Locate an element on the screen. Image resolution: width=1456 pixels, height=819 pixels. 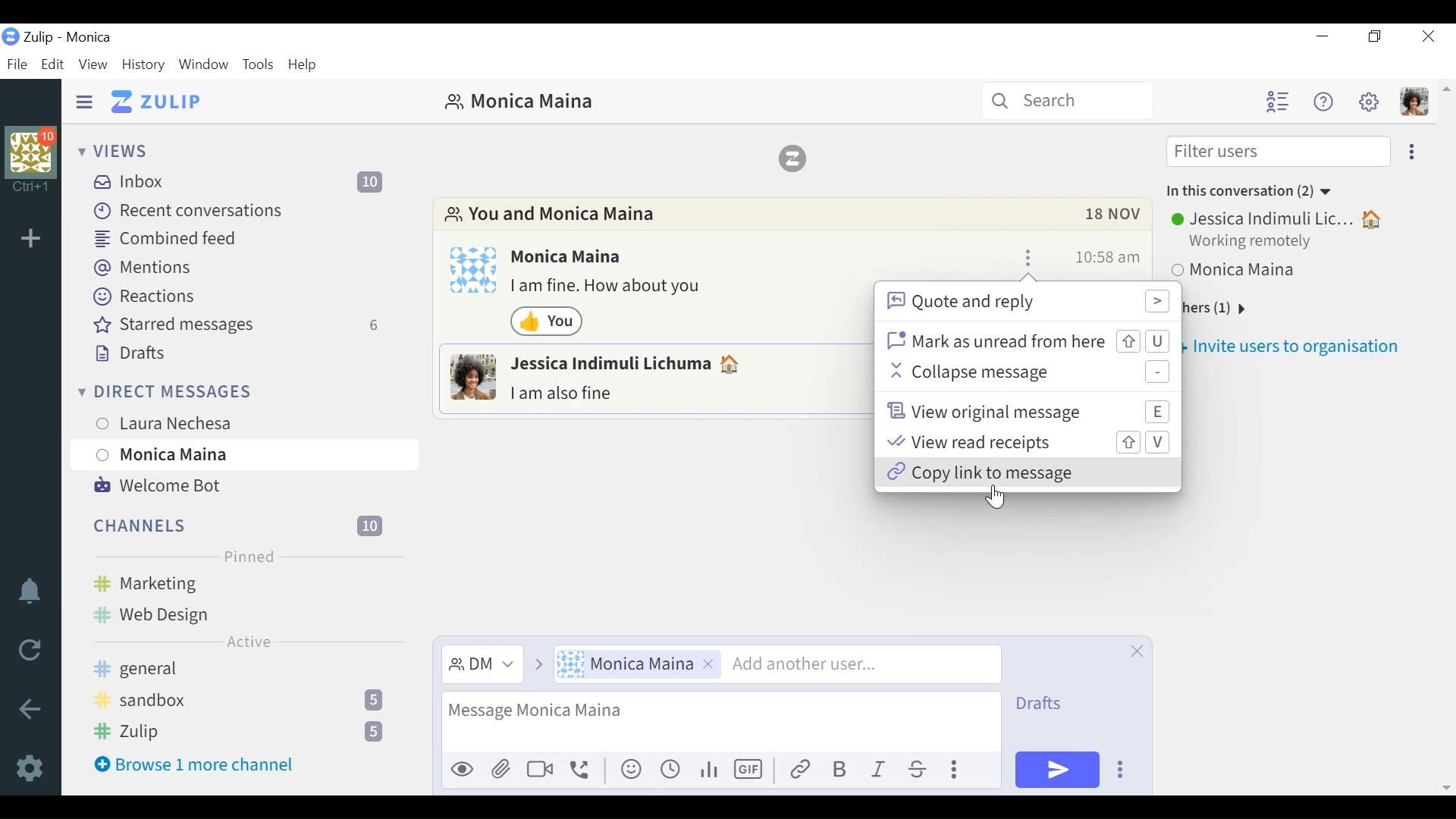
Ellipsis is located at coordinates (1128, 770).